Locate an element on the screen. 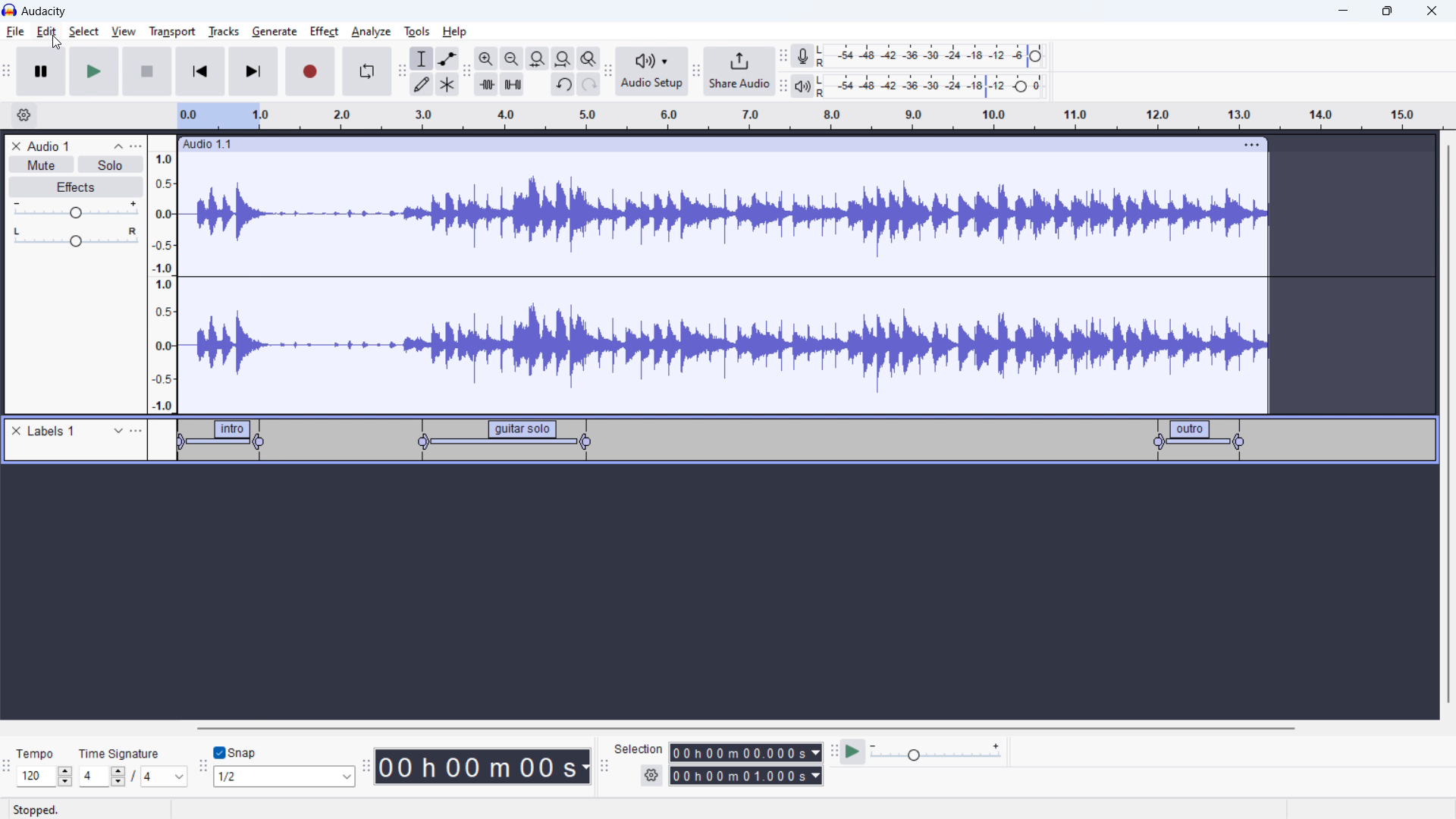 This screenshot has height=819, width=1456. stop is located at coordinates (147, 71).